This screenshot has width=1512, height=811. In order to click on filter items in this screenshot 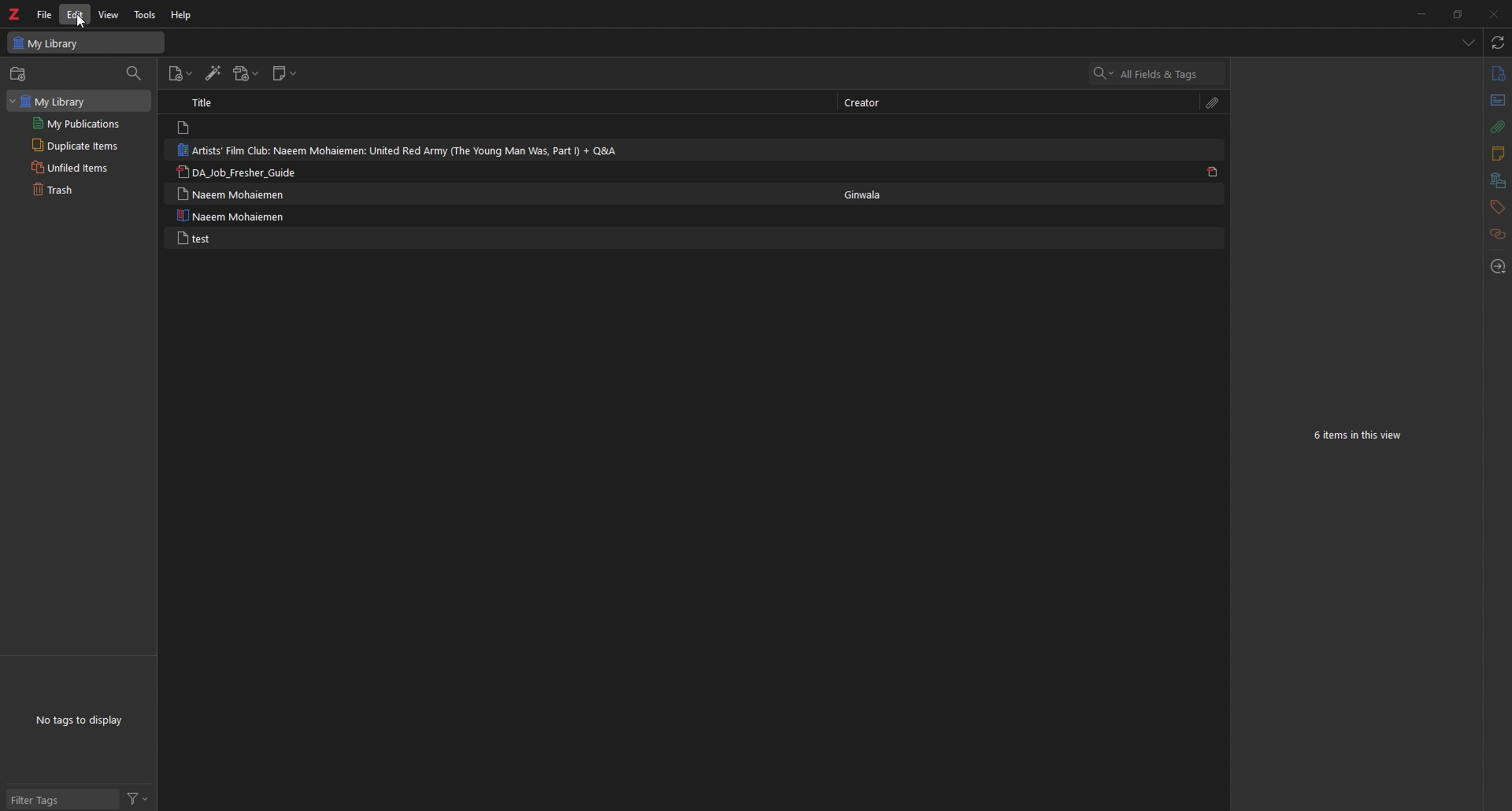, I will do `click(137, 74)`.